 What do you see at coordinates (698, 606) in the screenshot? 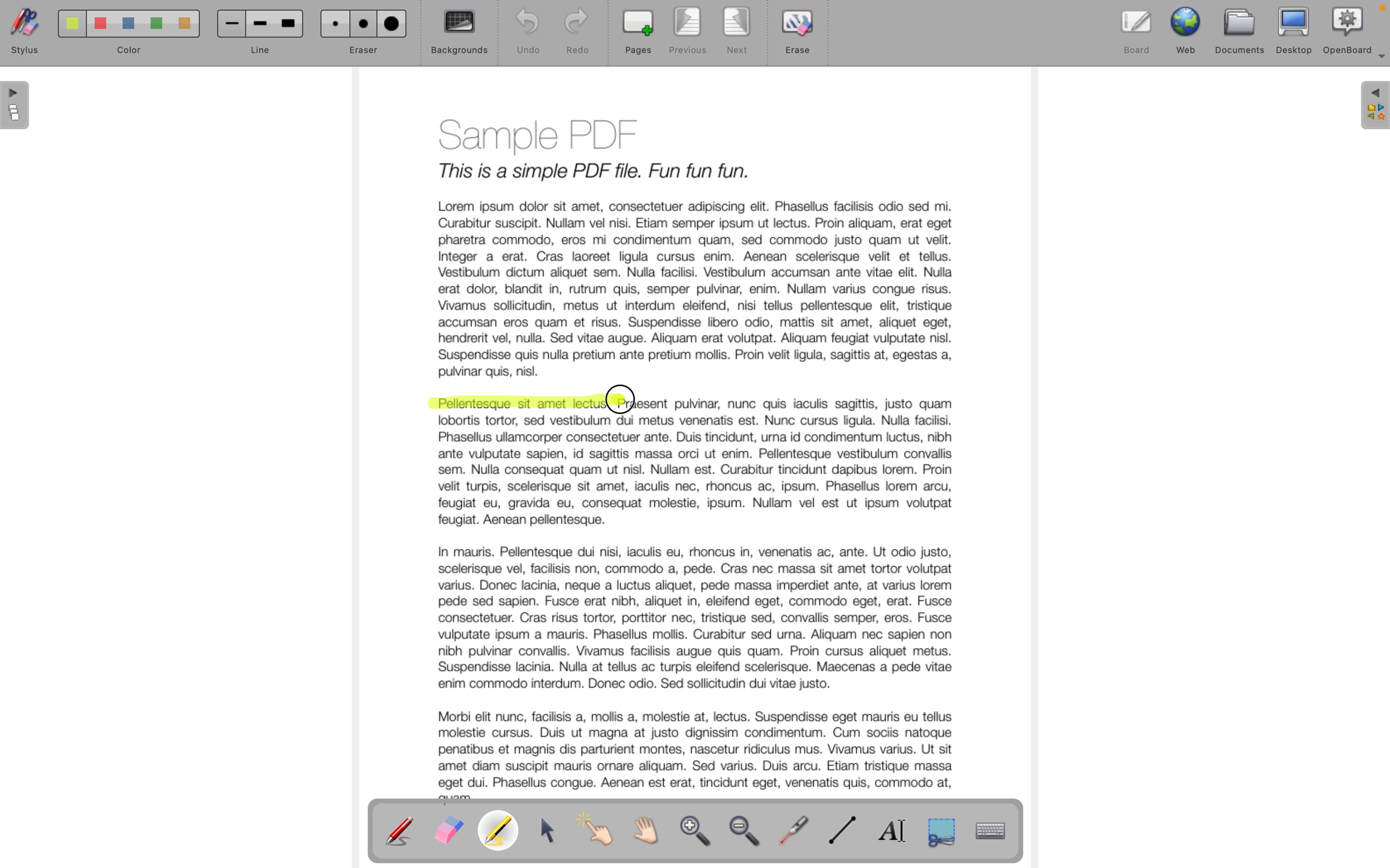
I see `text` at bounding box center [698, 606].